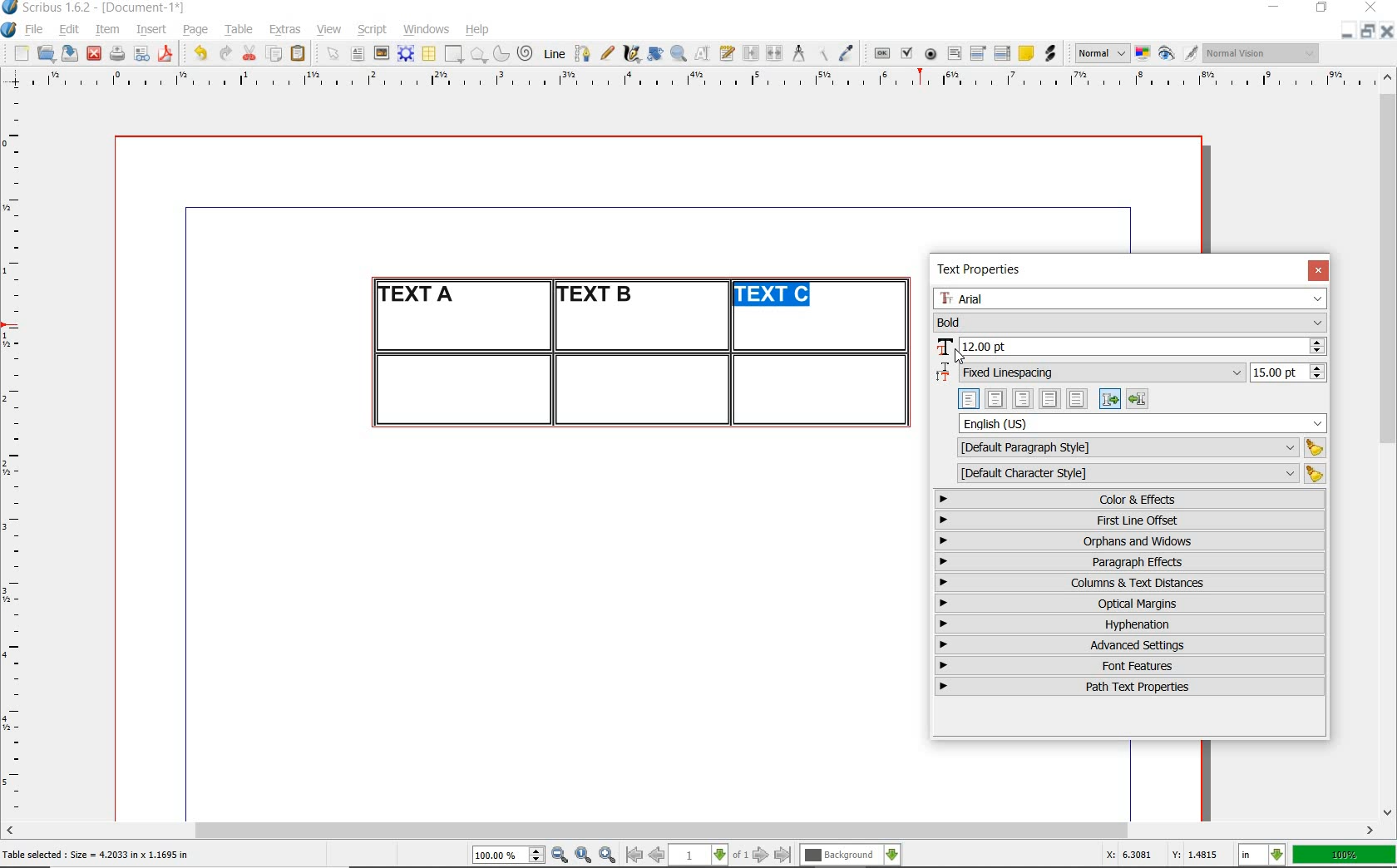  What do you see at coordinates (334, 55) in the screenshot?
I see `select` at bounding box center [334, 55].